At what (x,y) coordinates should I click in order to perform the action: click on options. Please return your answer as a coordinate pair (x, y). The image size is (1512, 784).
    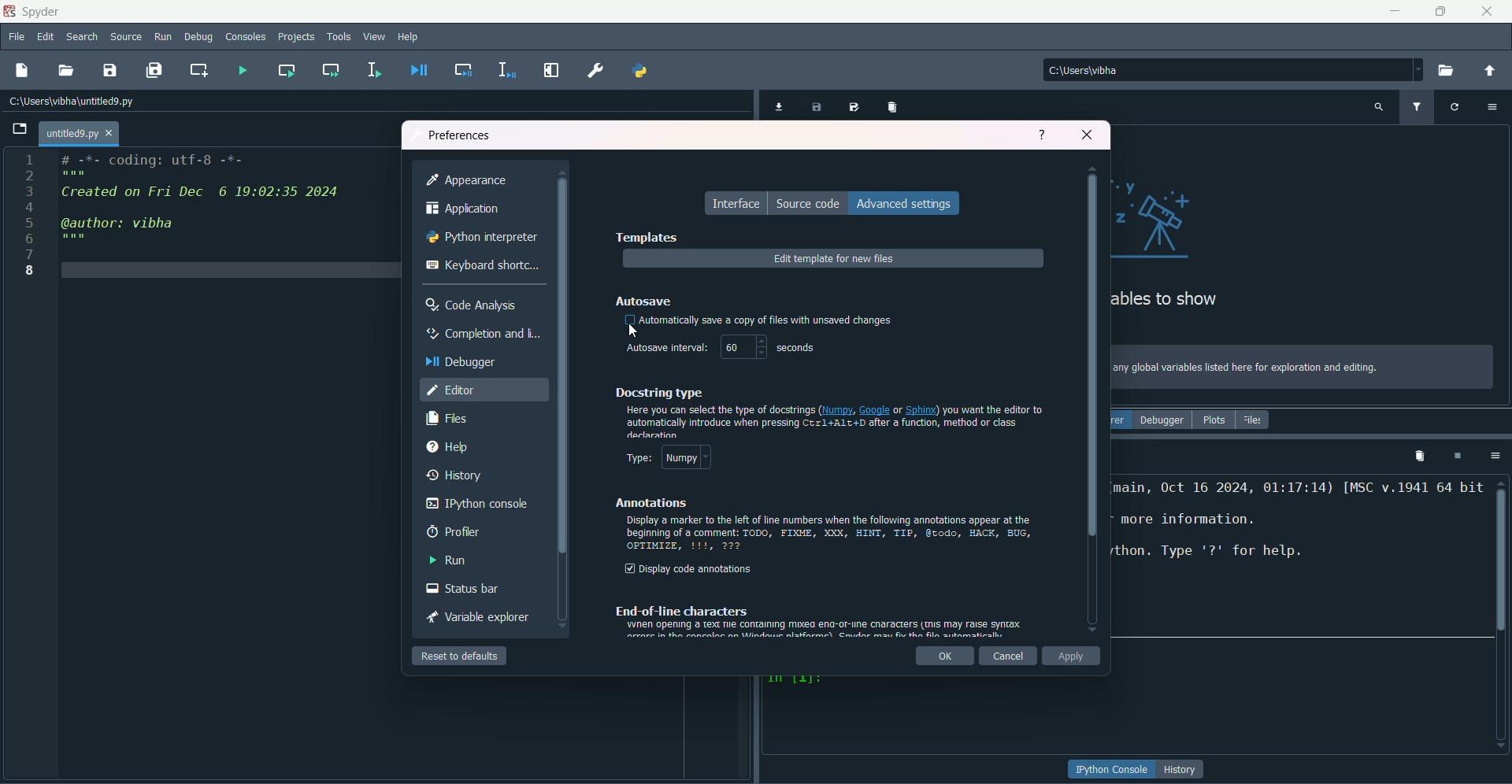
    Looking at the image, I should click on (1492, 455).